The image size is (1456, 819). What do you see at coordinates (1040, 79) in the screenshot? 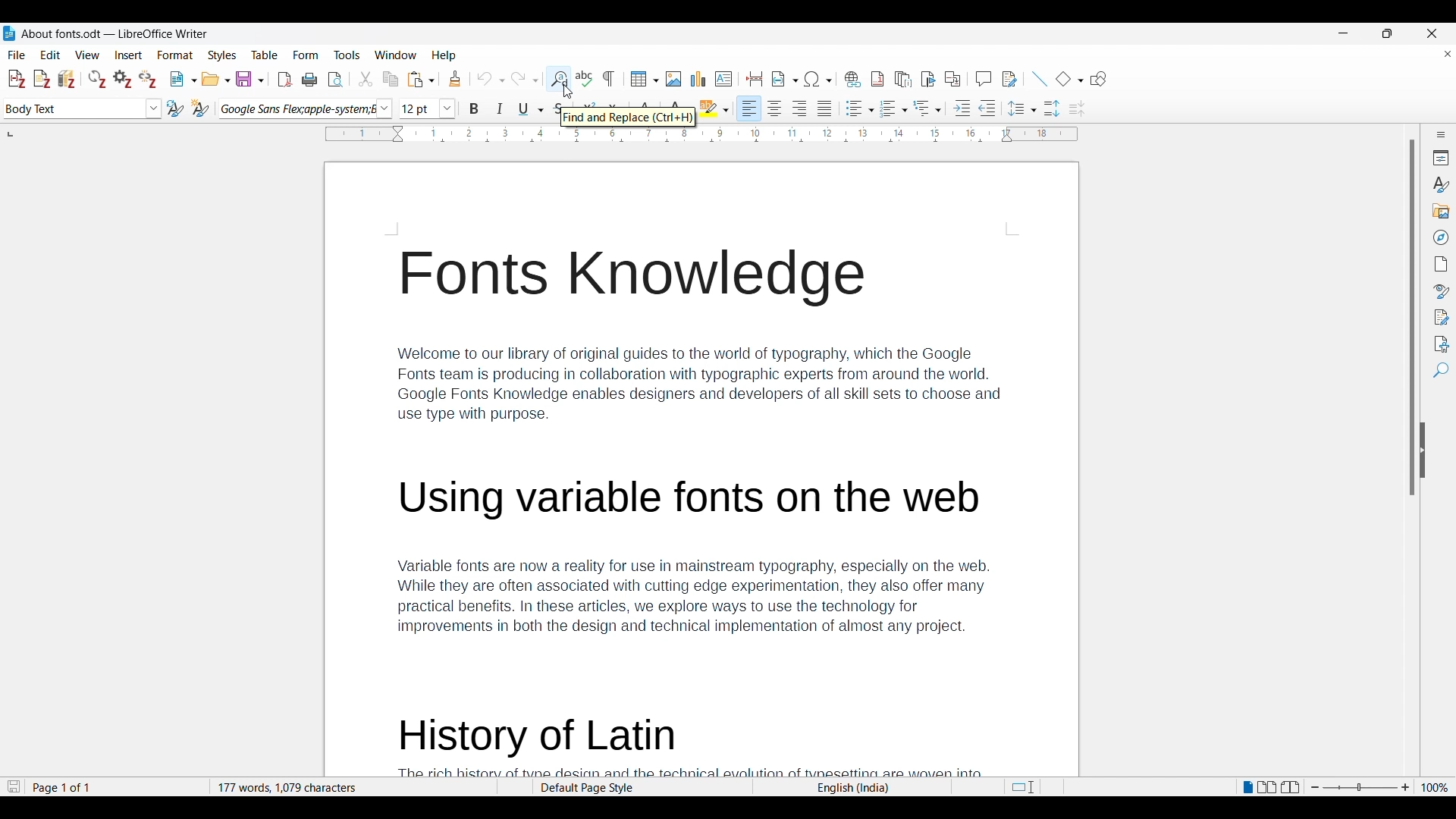
I see `Insert line` at bounding box center [1040, 79].